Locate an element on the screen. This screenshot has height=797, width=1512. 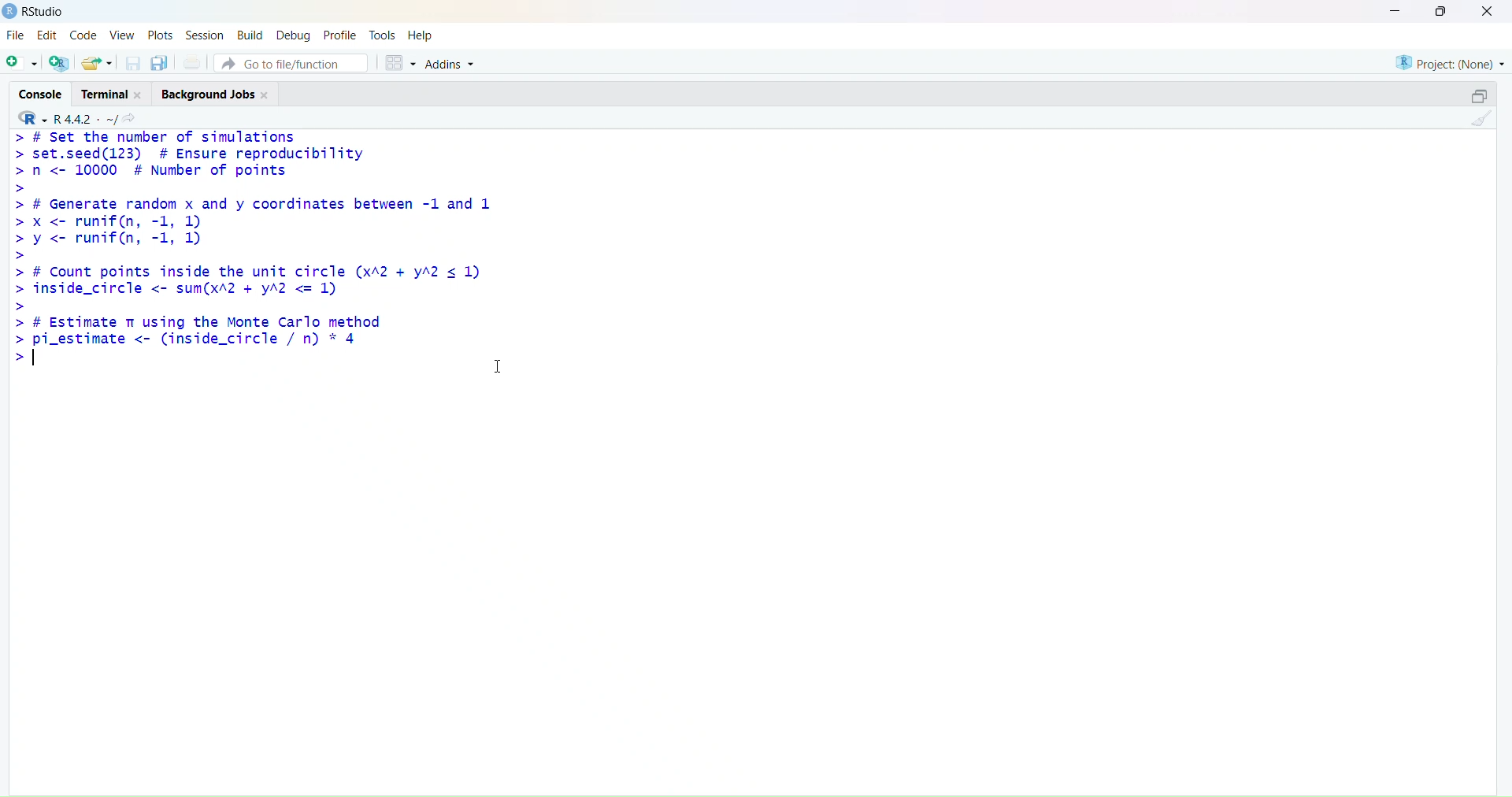
Addins is located at coordinates (452, 61).